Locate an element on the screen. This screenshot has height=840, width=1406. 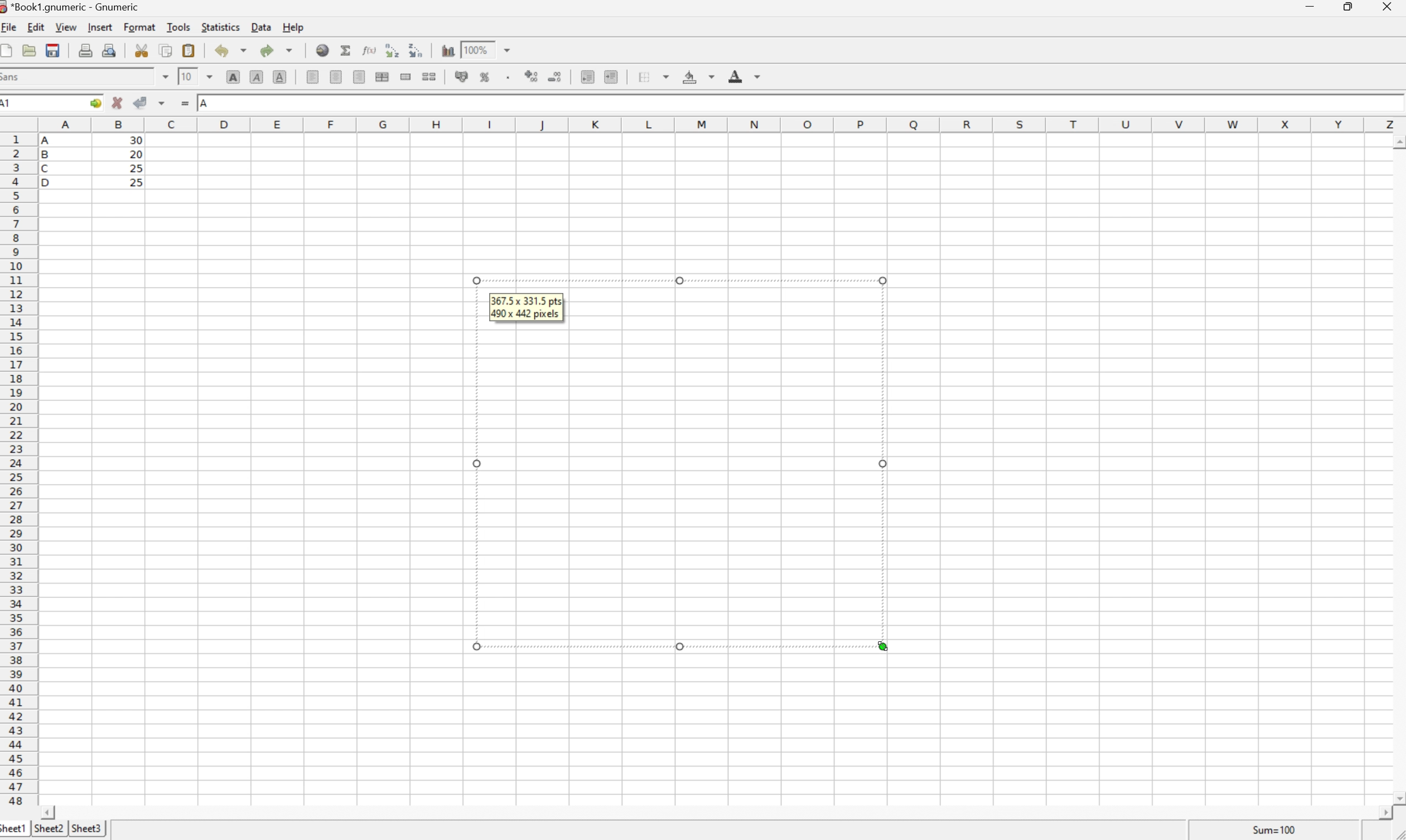
Sum into current cell is located at coordinates (347, 49).